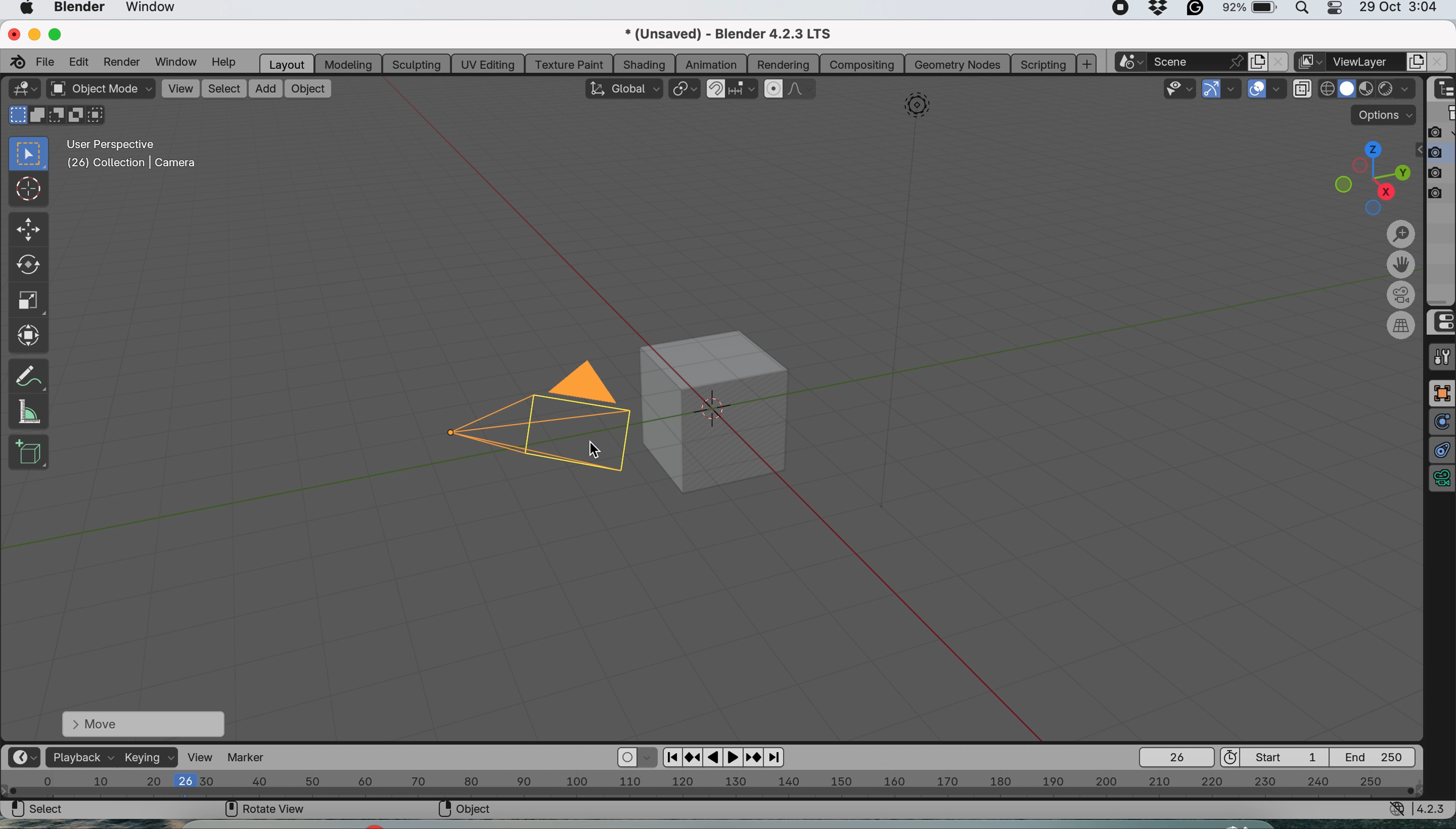 The image size is (1456, 829). What do you see at coordinates (1277, 757) in the screenshot?
I see `first frame` at bounding box center [1277, 757].